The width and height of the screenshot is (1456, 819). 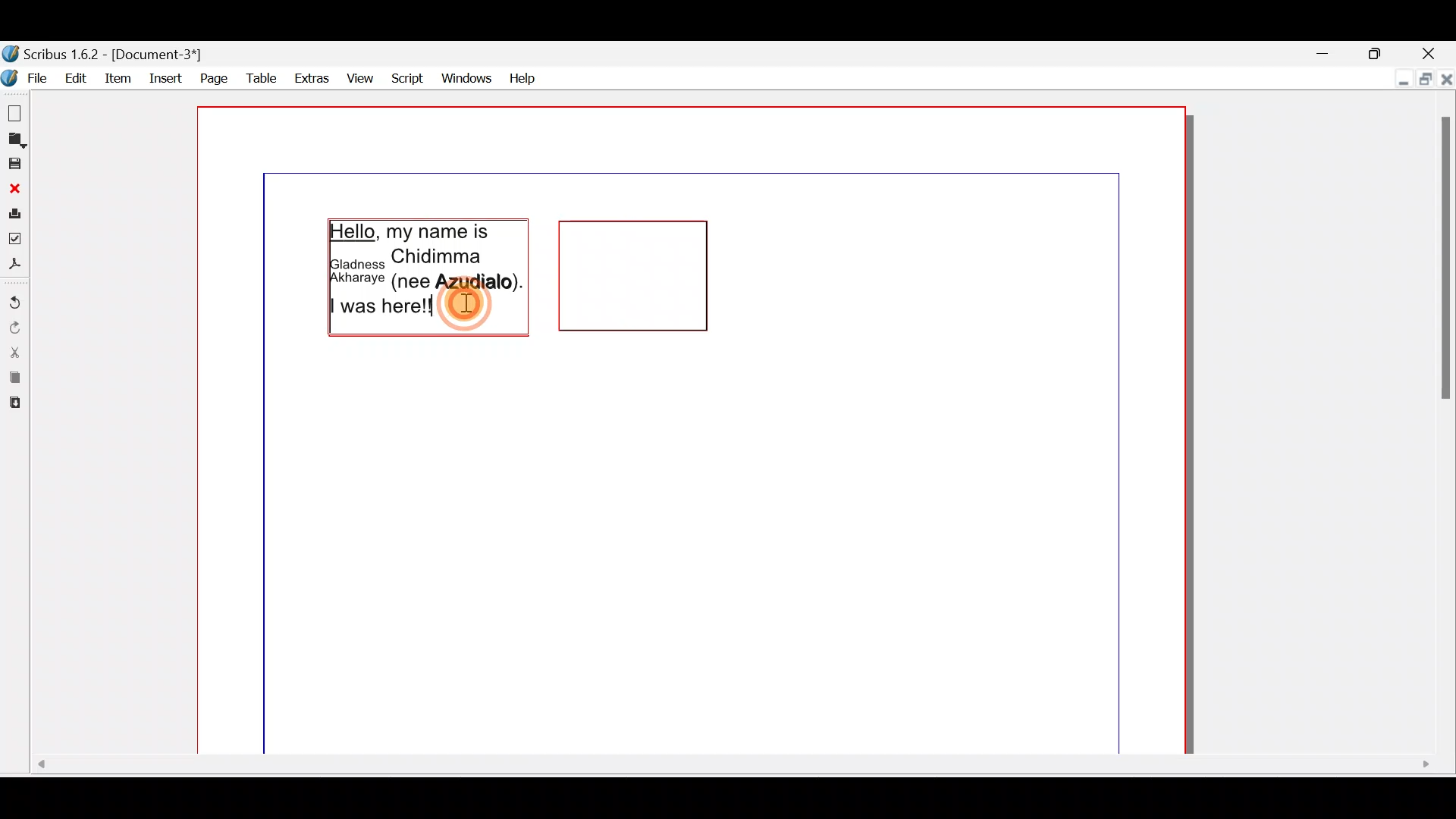 What do you see at coordinates (730, 771) in the screenshot?
I see `Scroll bar` at bounding box center [730, 771].